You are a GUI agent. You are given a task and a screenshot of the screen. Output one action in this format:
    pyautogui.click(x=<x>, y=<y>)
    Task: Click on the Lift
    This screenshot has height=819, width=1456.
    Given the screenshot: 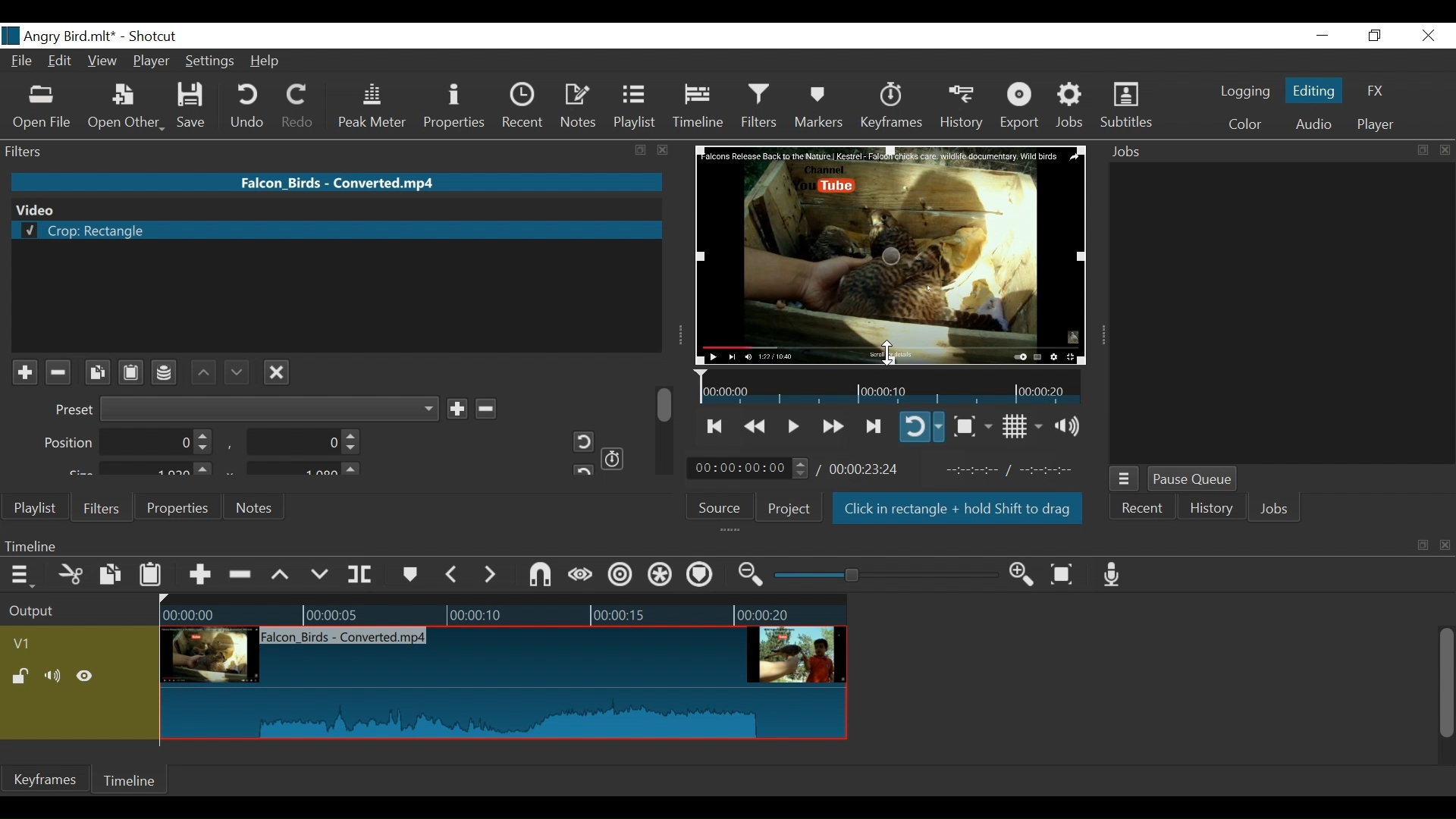 What is the action you would take?
    pyautogui.click(x=283, y=576)
    